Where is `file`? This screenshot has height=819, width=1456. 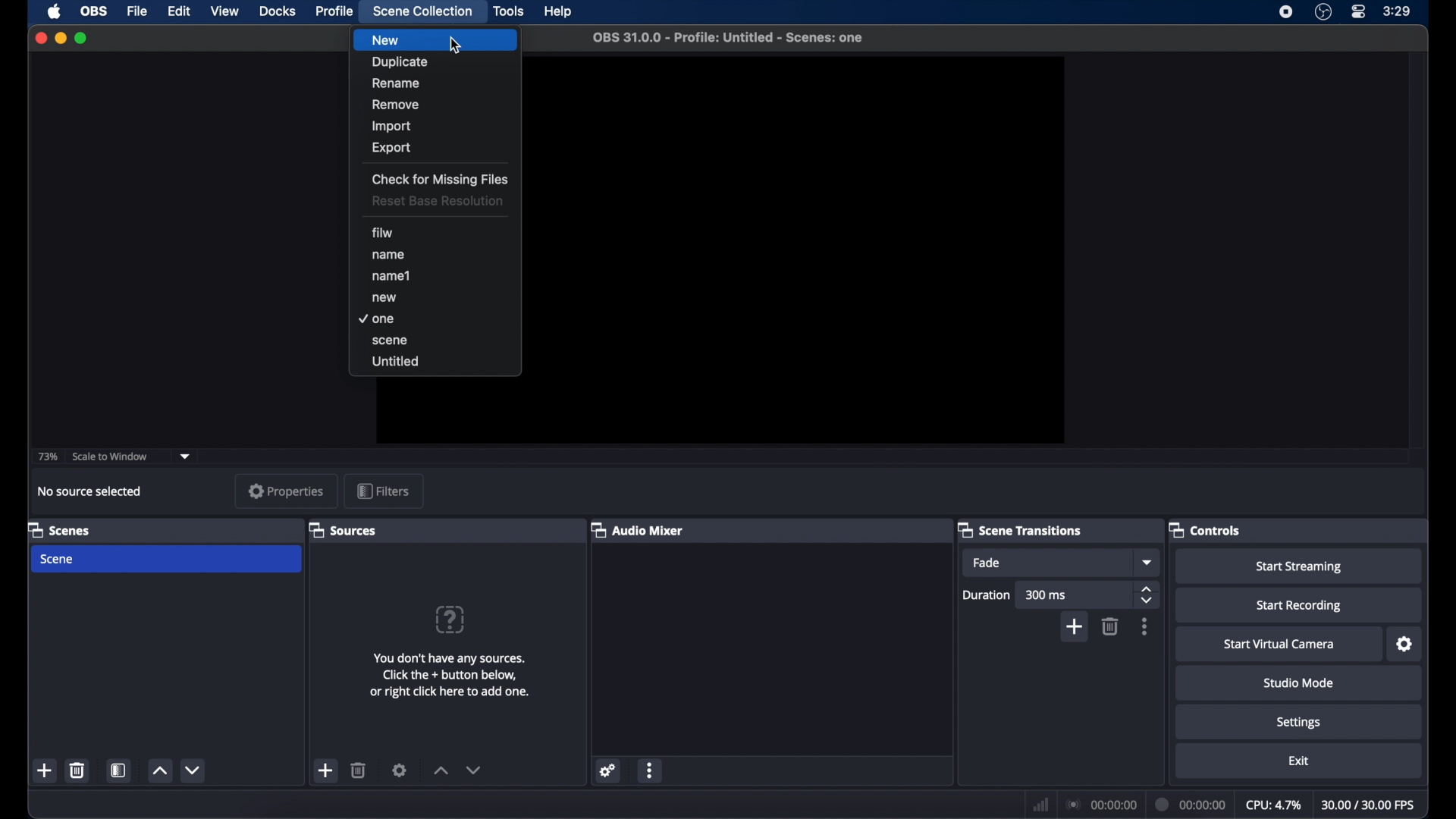
file is located at coordinates (136, 11).